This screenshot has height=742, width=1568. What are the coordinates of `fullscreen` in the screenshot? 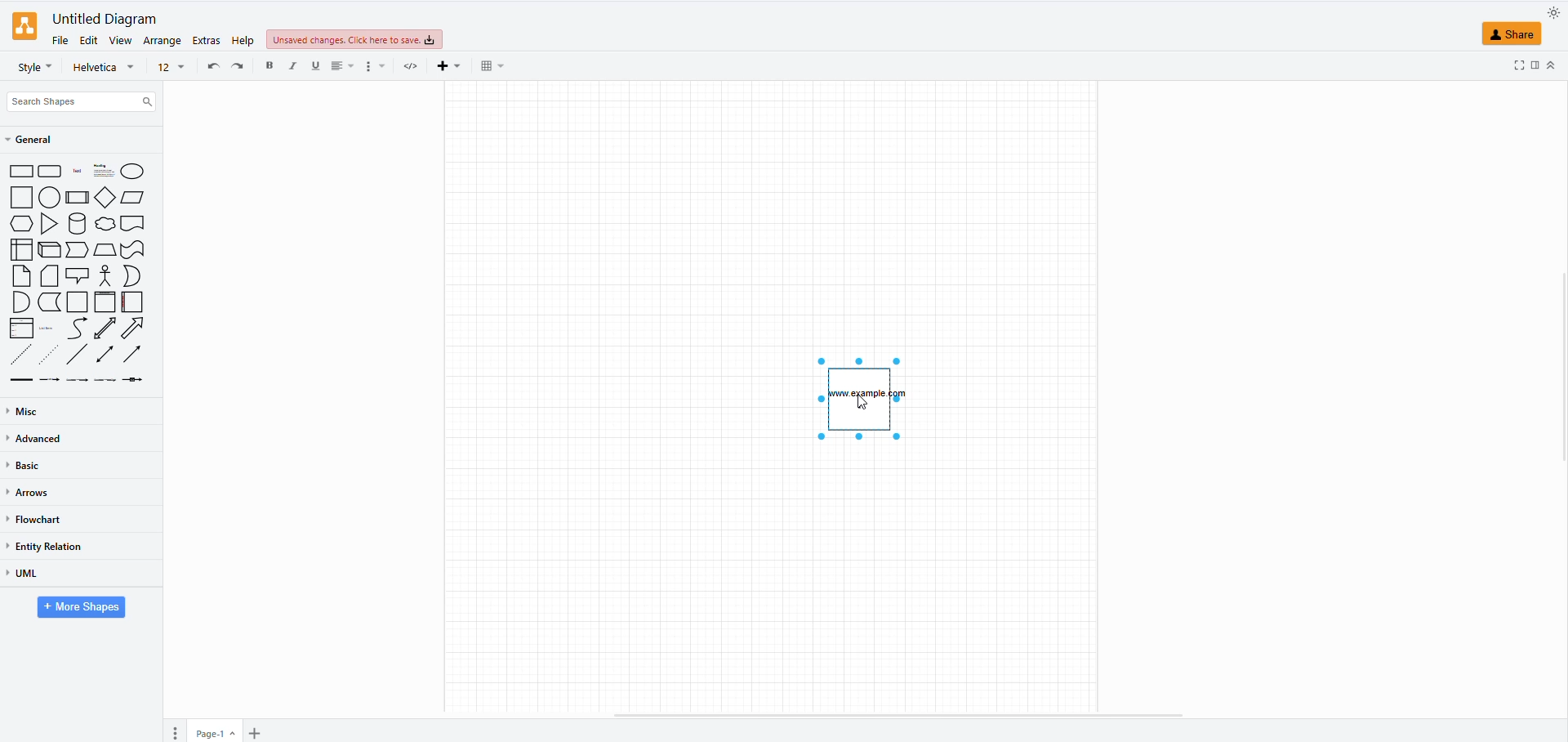 It's located at (1512, 65).